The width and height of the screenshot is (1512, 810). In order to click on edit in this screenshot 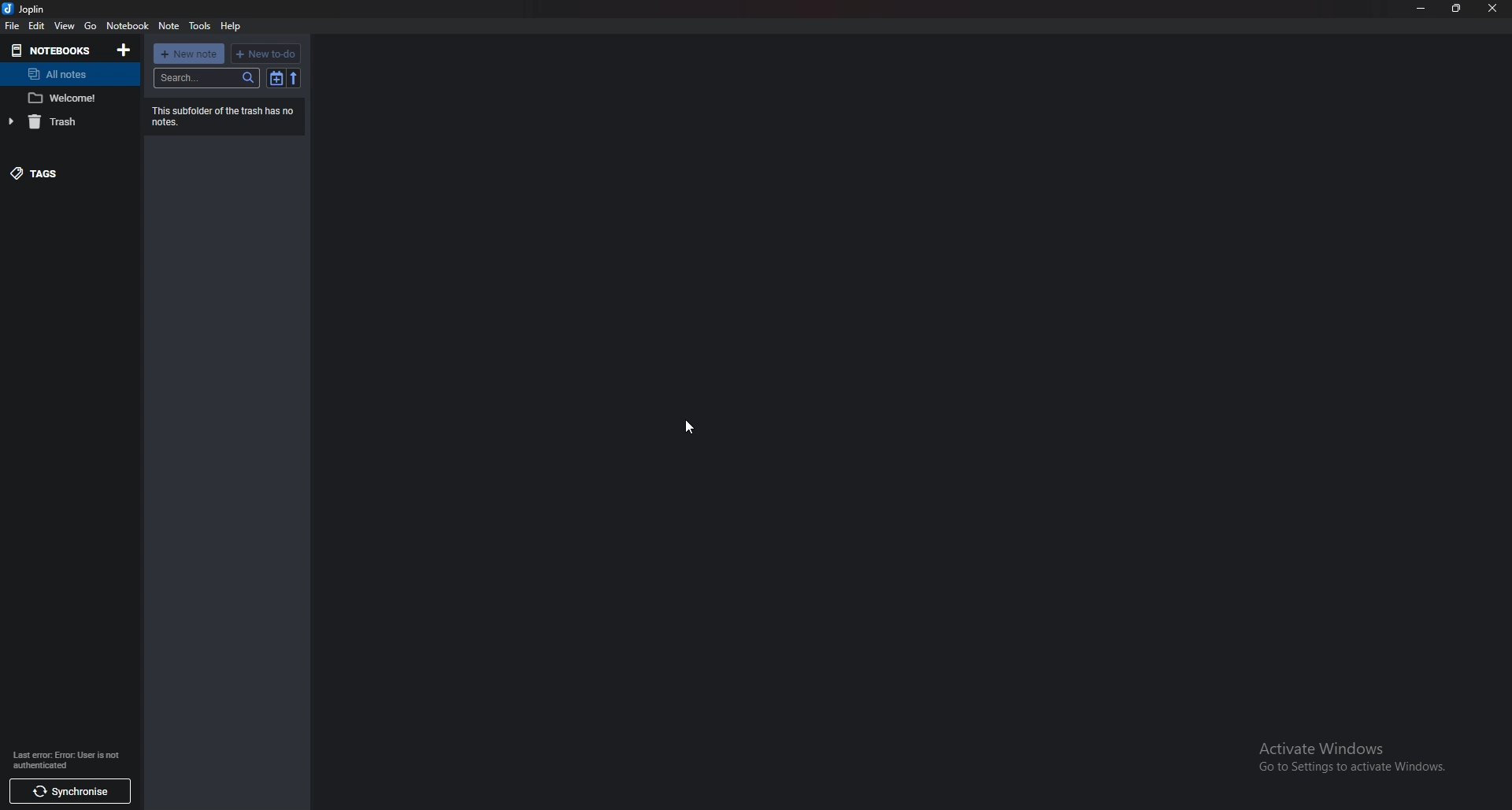, I will do `click(36, 26)`.